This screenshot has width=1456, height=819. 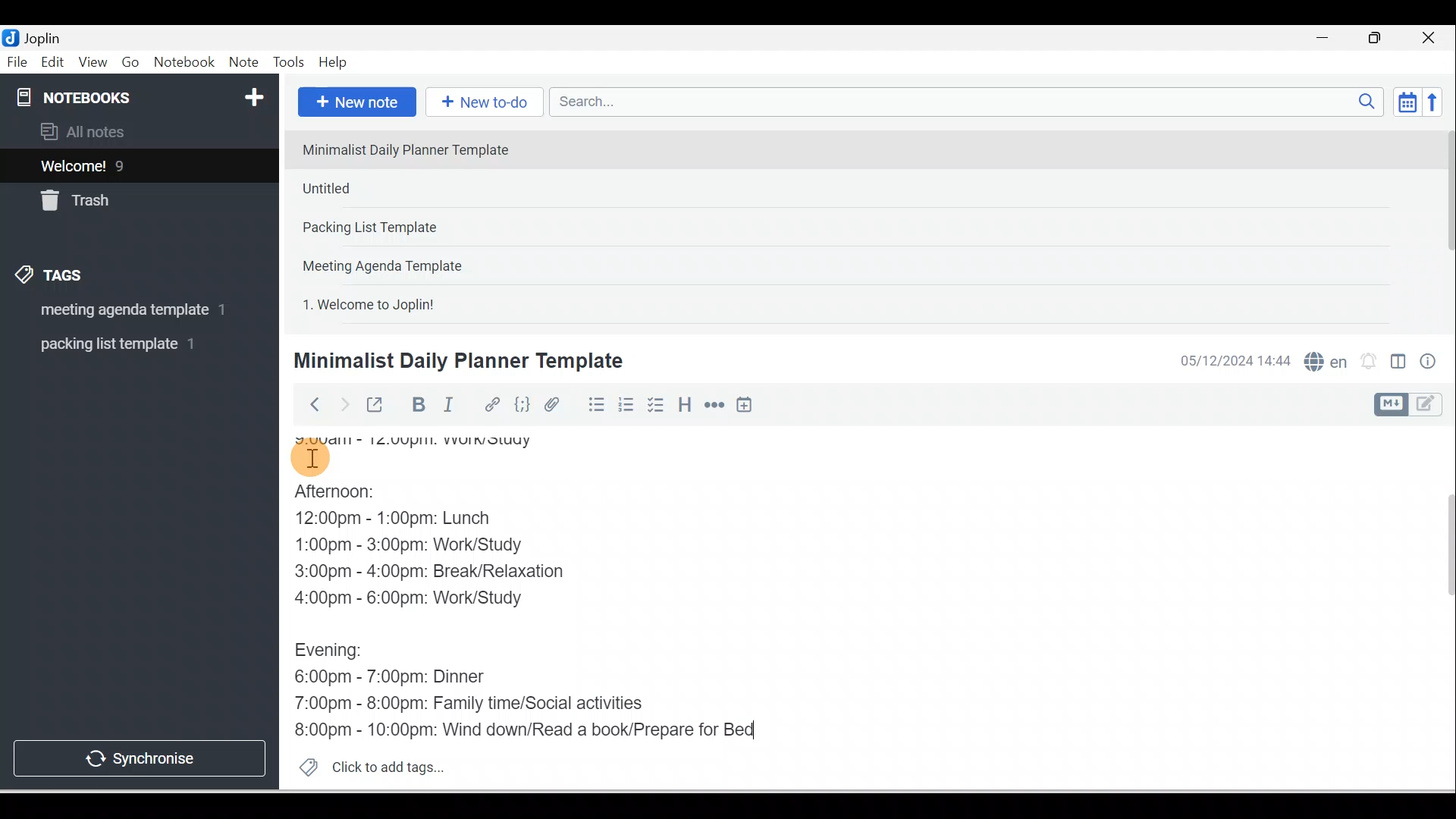 I want to click on New note, so click(x=354, y=103).